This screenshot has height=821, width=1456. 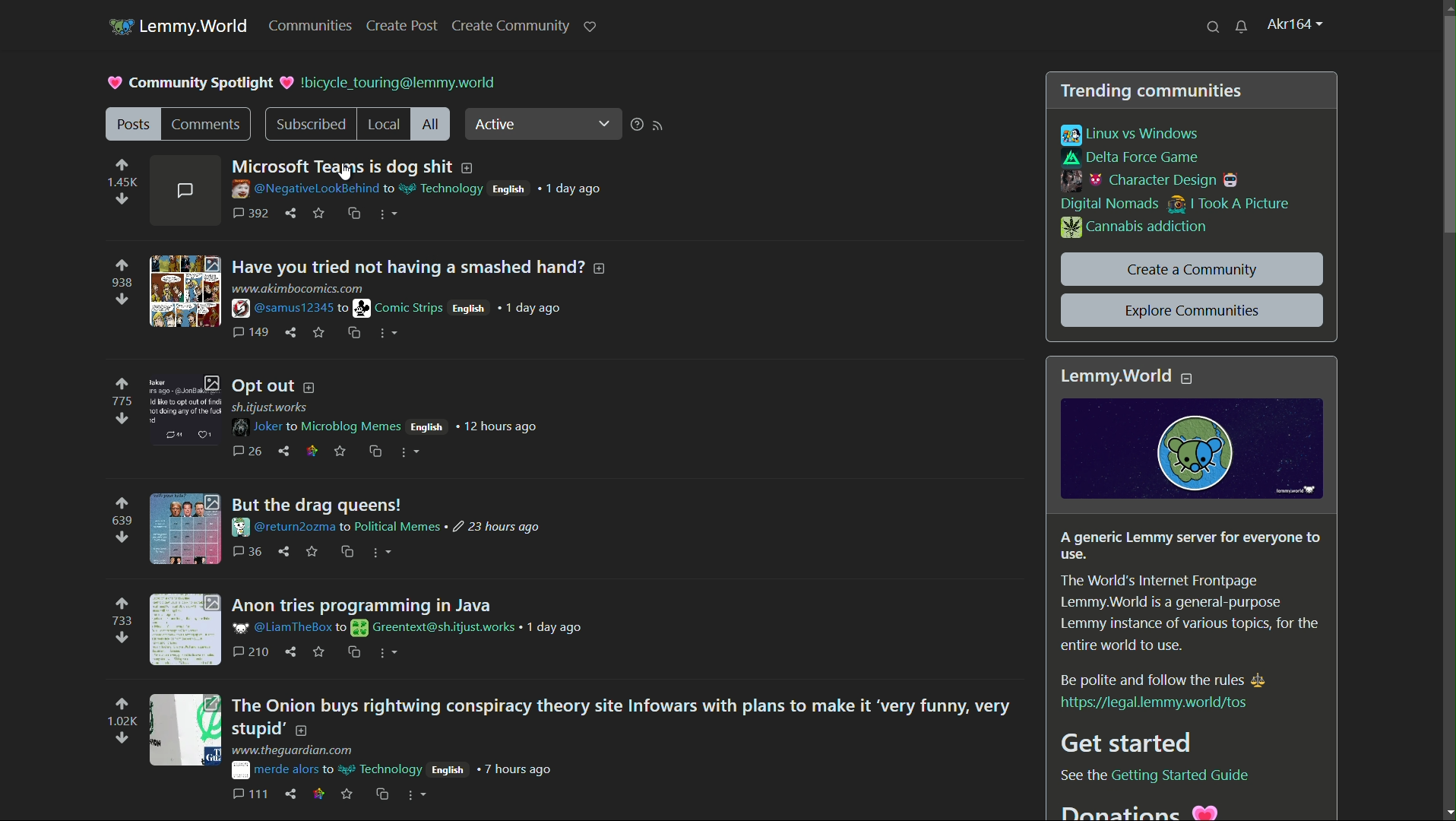 I want to click on trending communities, so click(x=1151, y=92).